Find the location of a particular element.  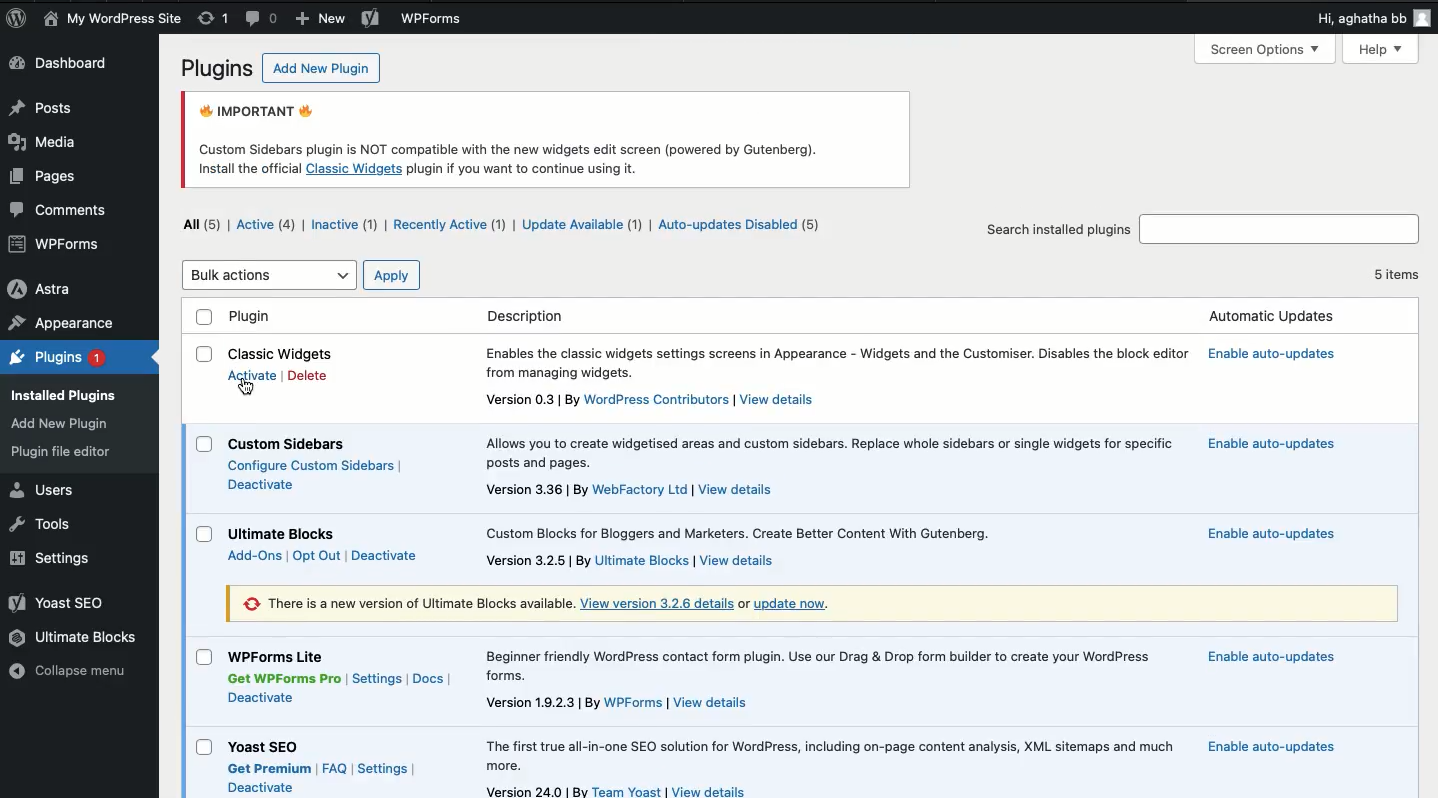

Automatic updates is located at coordinates (1275, 442).